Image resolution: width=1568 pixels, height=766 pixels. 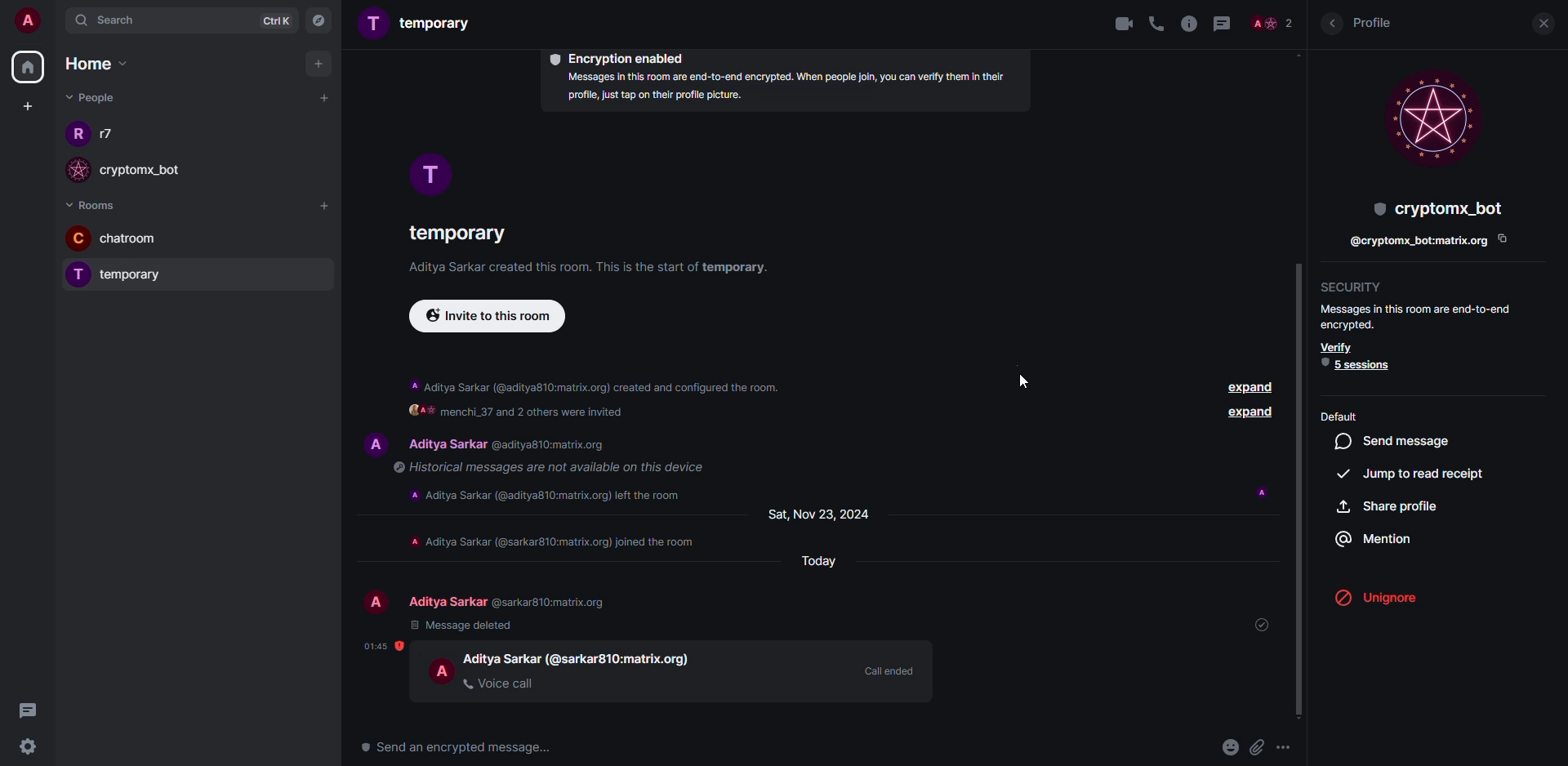 What do you see at coordinates (145, 240) in the screenshot?
I see `room` at bounding box center [145, 240].